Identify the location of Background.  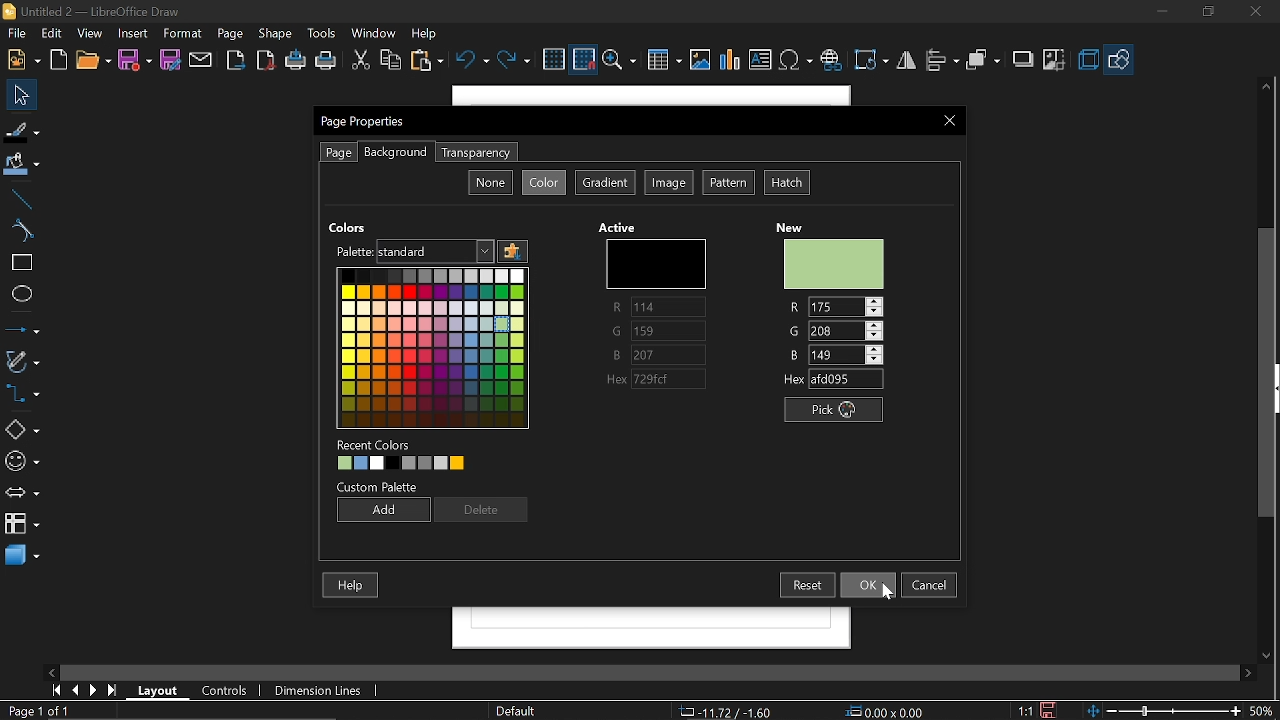
(394, 153).